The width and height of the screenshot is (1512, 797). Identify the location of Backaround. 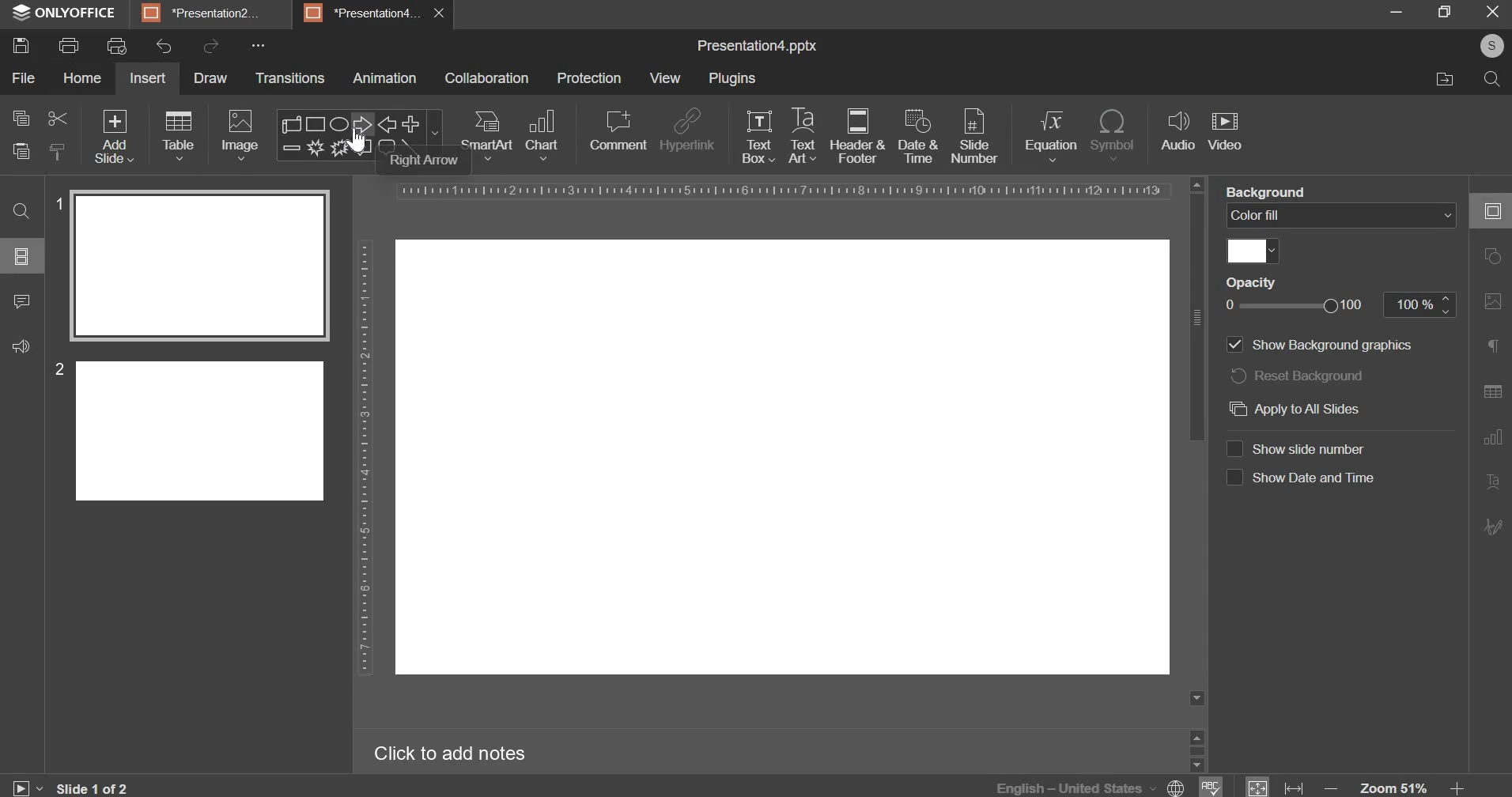
(1268, 191).